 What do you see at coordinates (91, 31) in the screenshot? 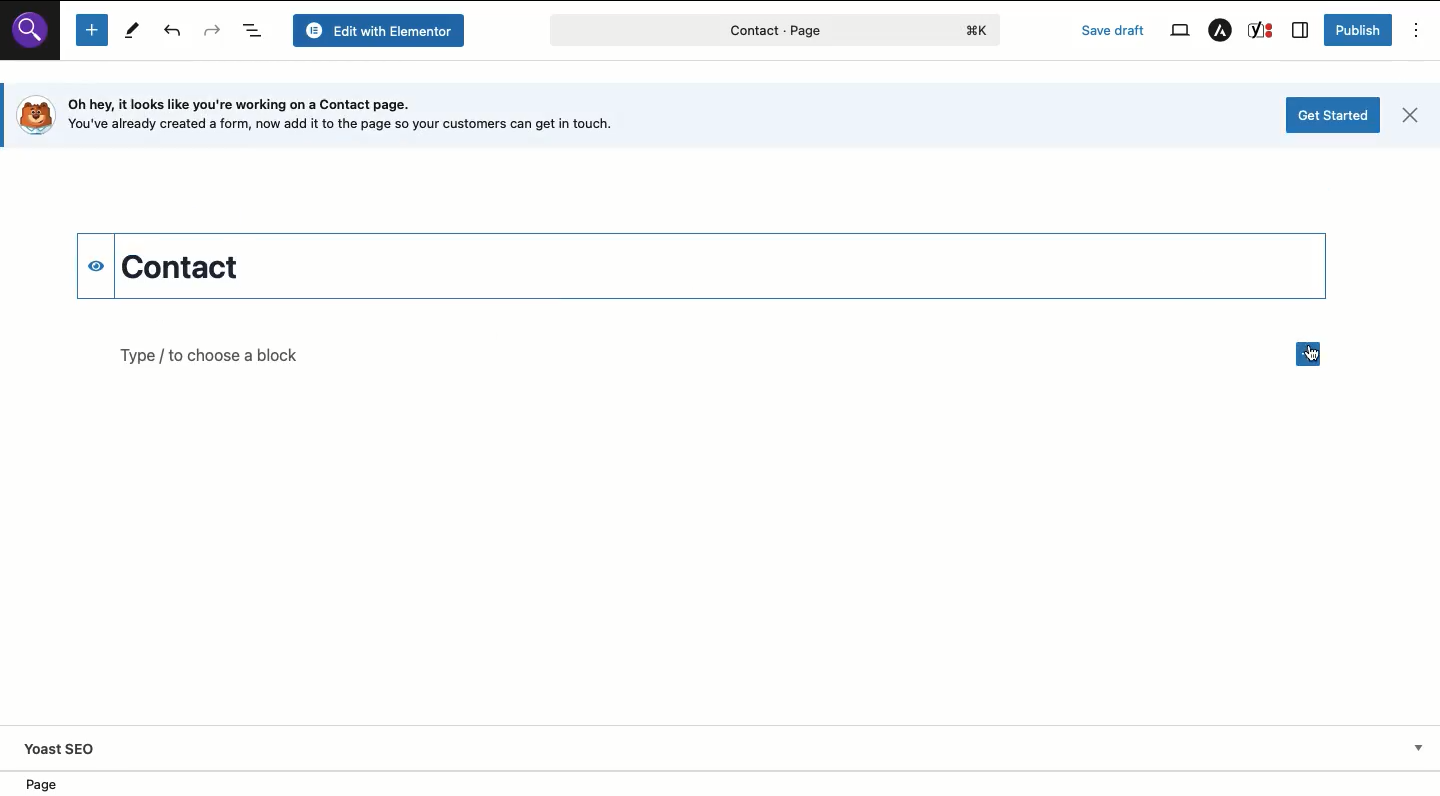
I see `Add new block` at bounding box center [91, 31].